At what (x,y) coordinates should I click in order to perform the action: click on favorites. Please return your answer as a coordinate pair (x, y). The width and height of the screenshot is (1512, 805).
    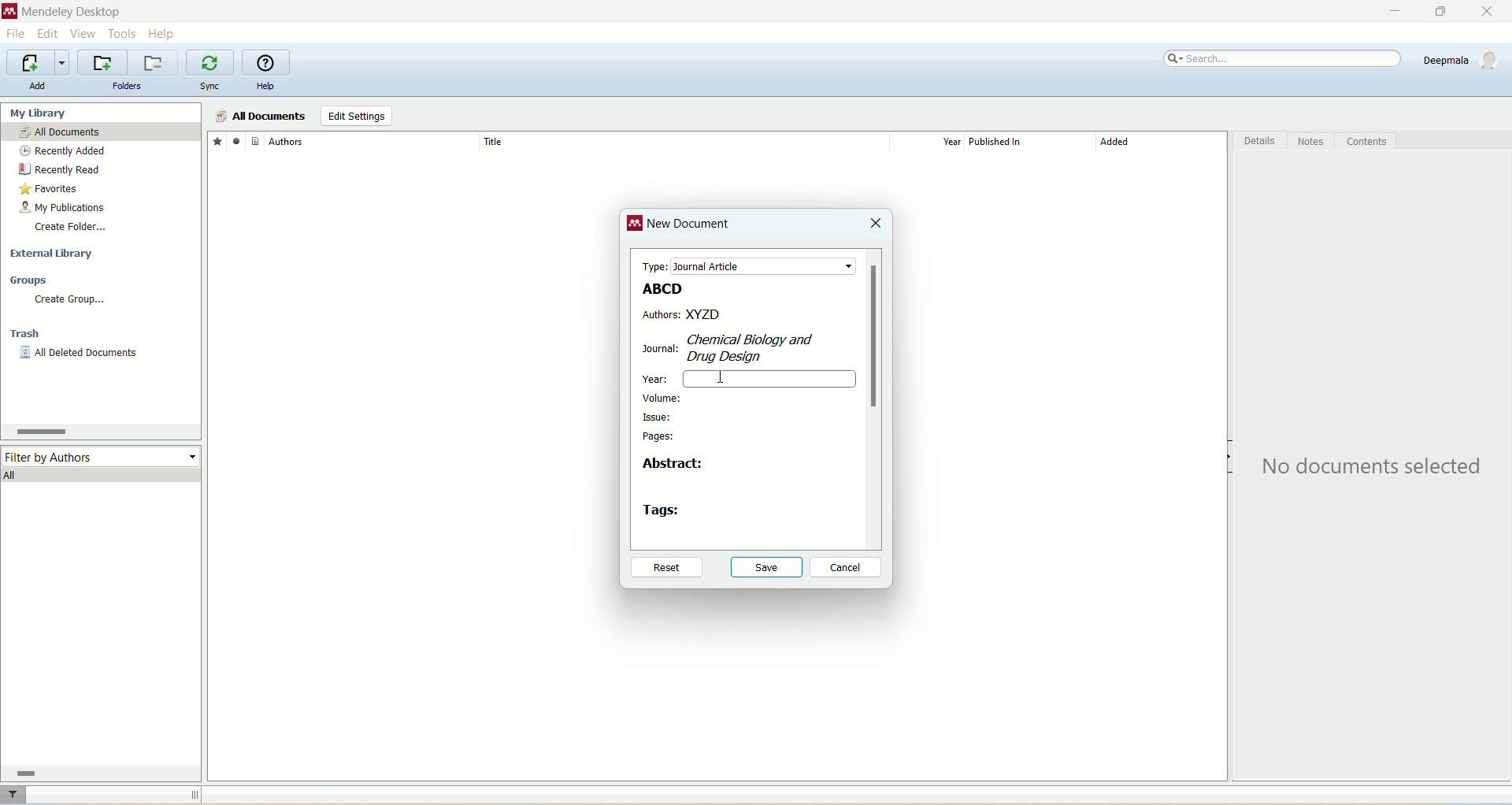
    Looking at the image, I should click on (217, 140).